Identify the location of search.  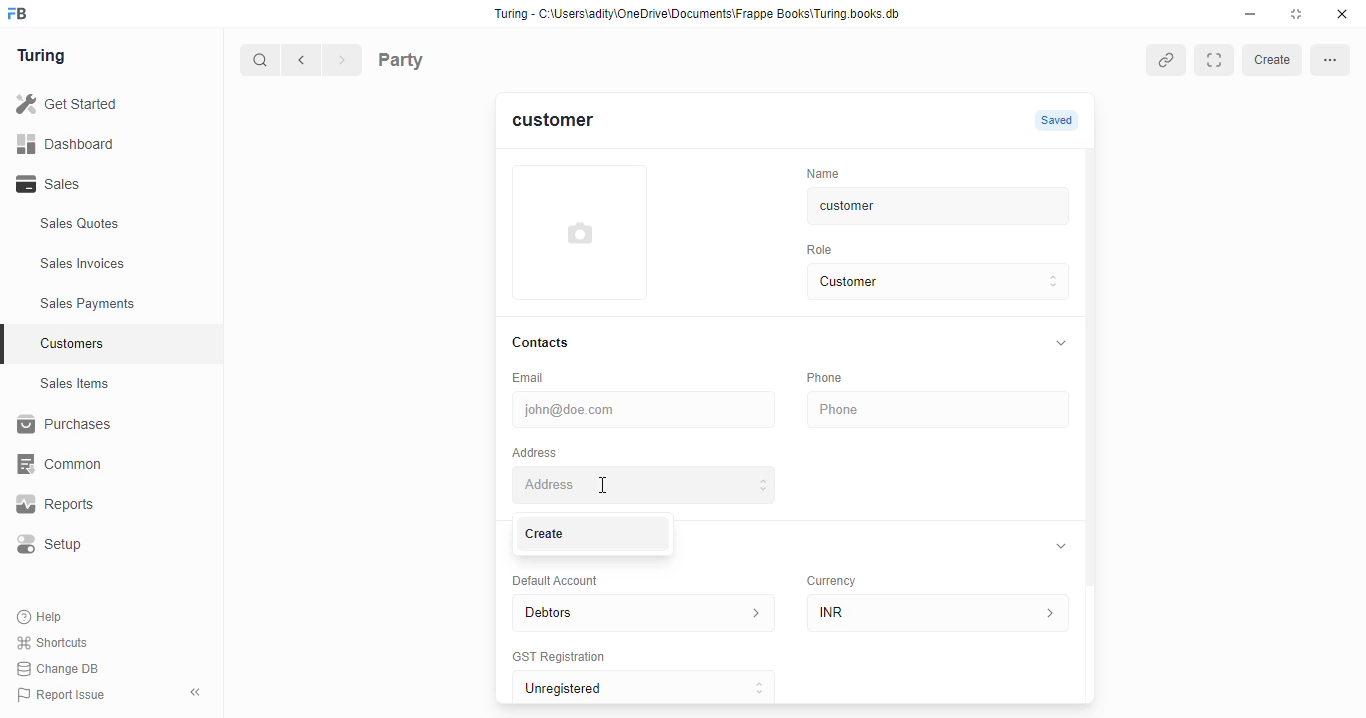
(261, 62).